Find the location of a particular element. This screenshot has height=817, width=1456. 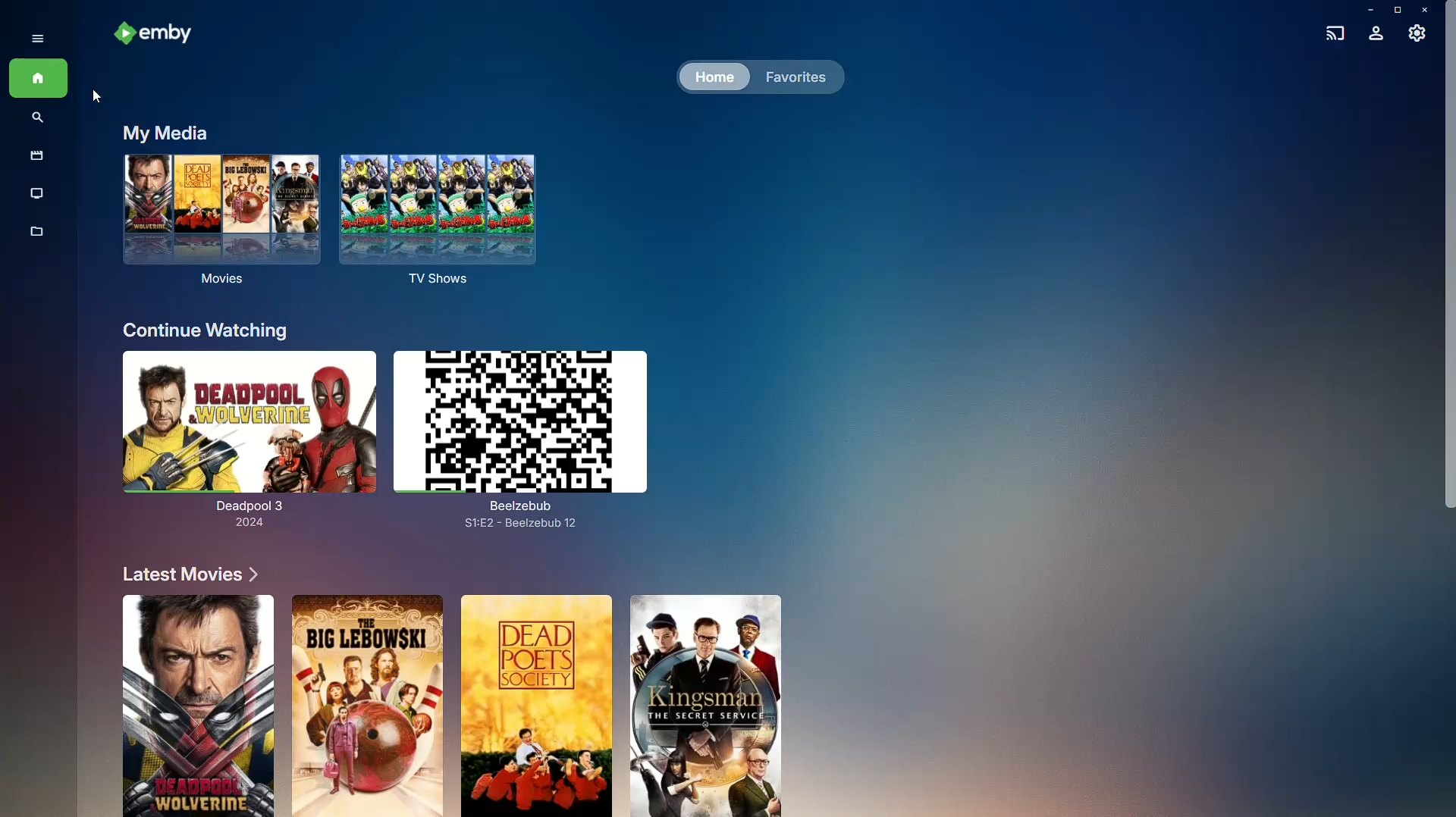

Home is located at coordinates (38, 80).